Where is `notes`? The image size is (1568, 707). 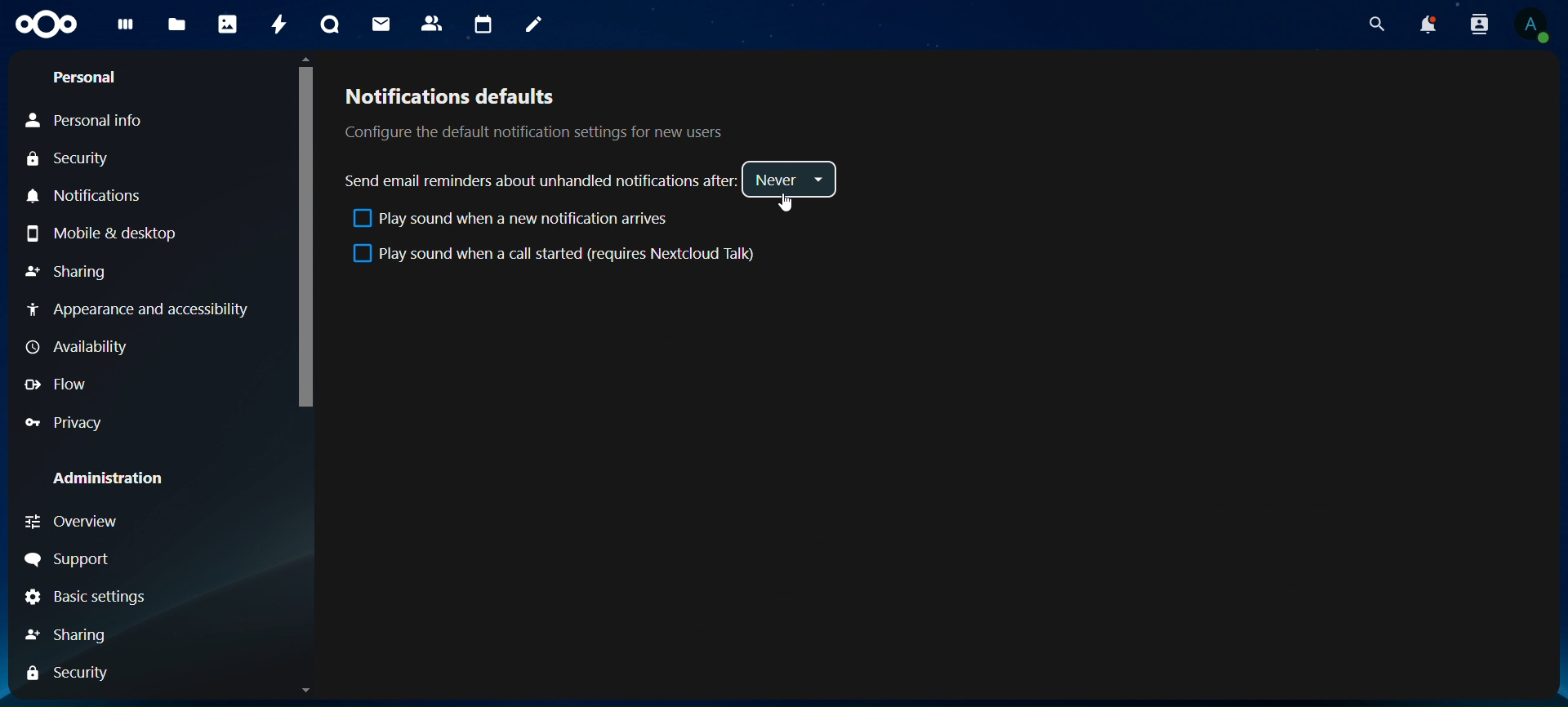
notes is located at coordinates (534, 25).